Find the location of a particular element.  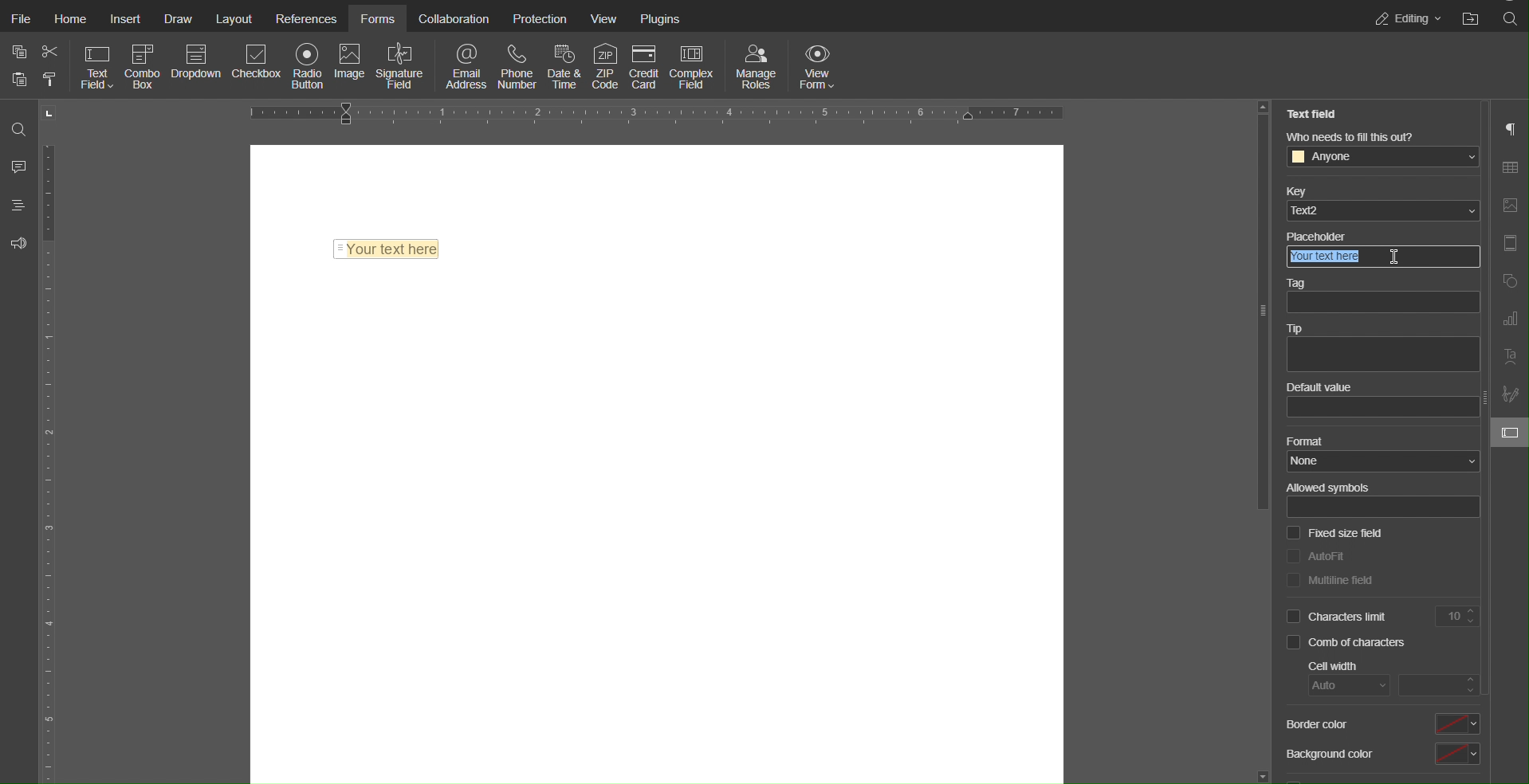

Search is located at coordinates (21, 128).